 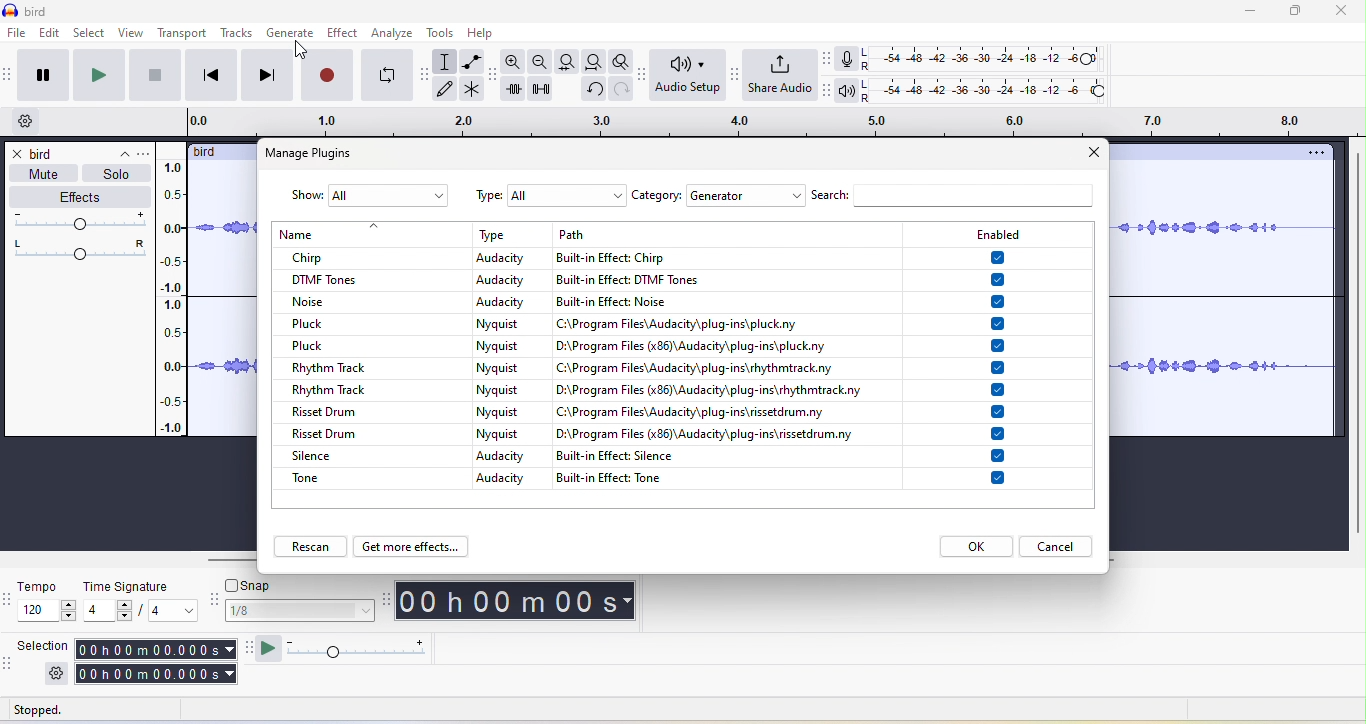 What do you see at coordinates (388, 601) in the screenshot?
I see `audacity time toolbar` at bounding box center [388, 601].